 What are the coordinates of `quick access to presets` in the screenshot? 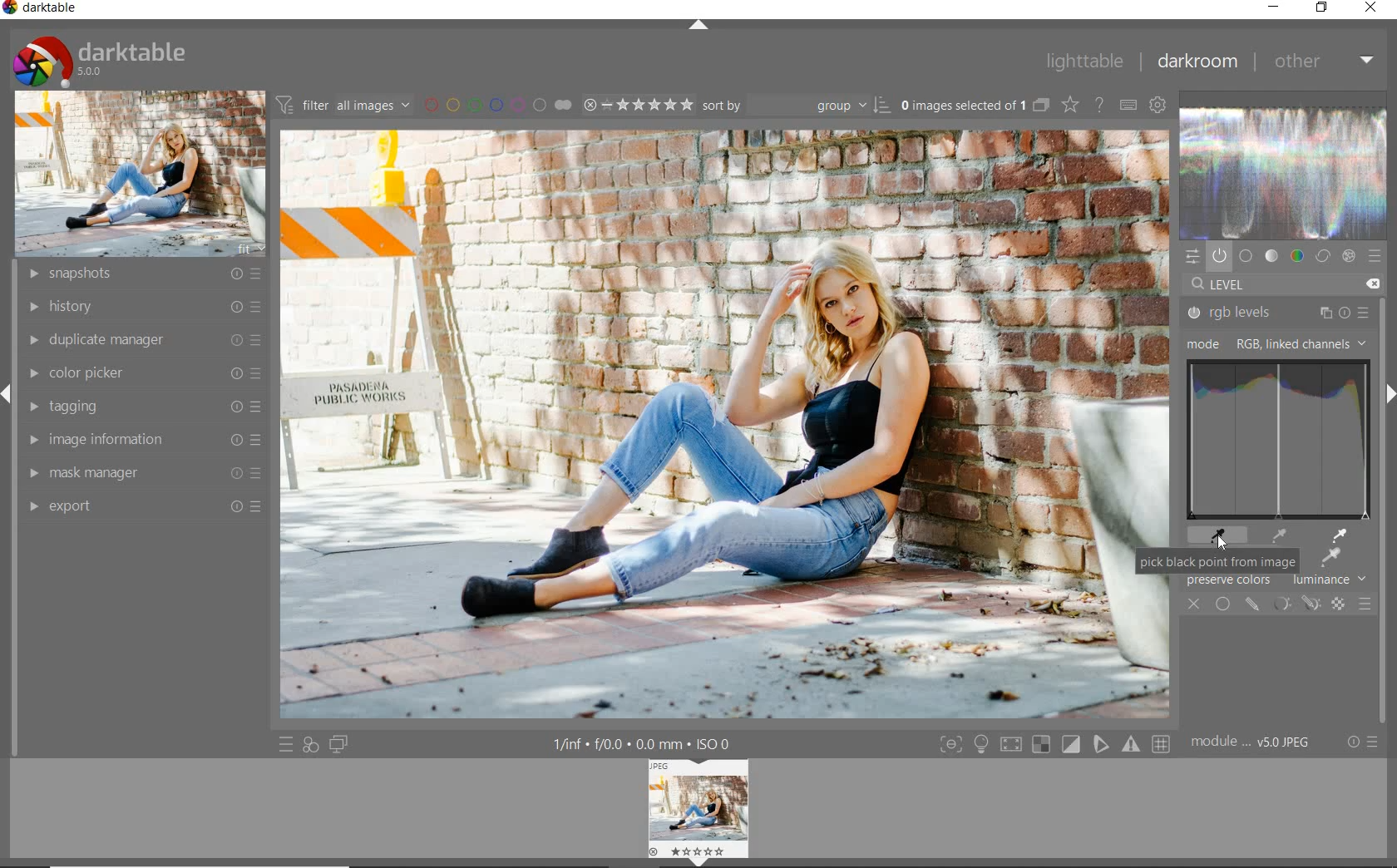 It's located at (287, 745).